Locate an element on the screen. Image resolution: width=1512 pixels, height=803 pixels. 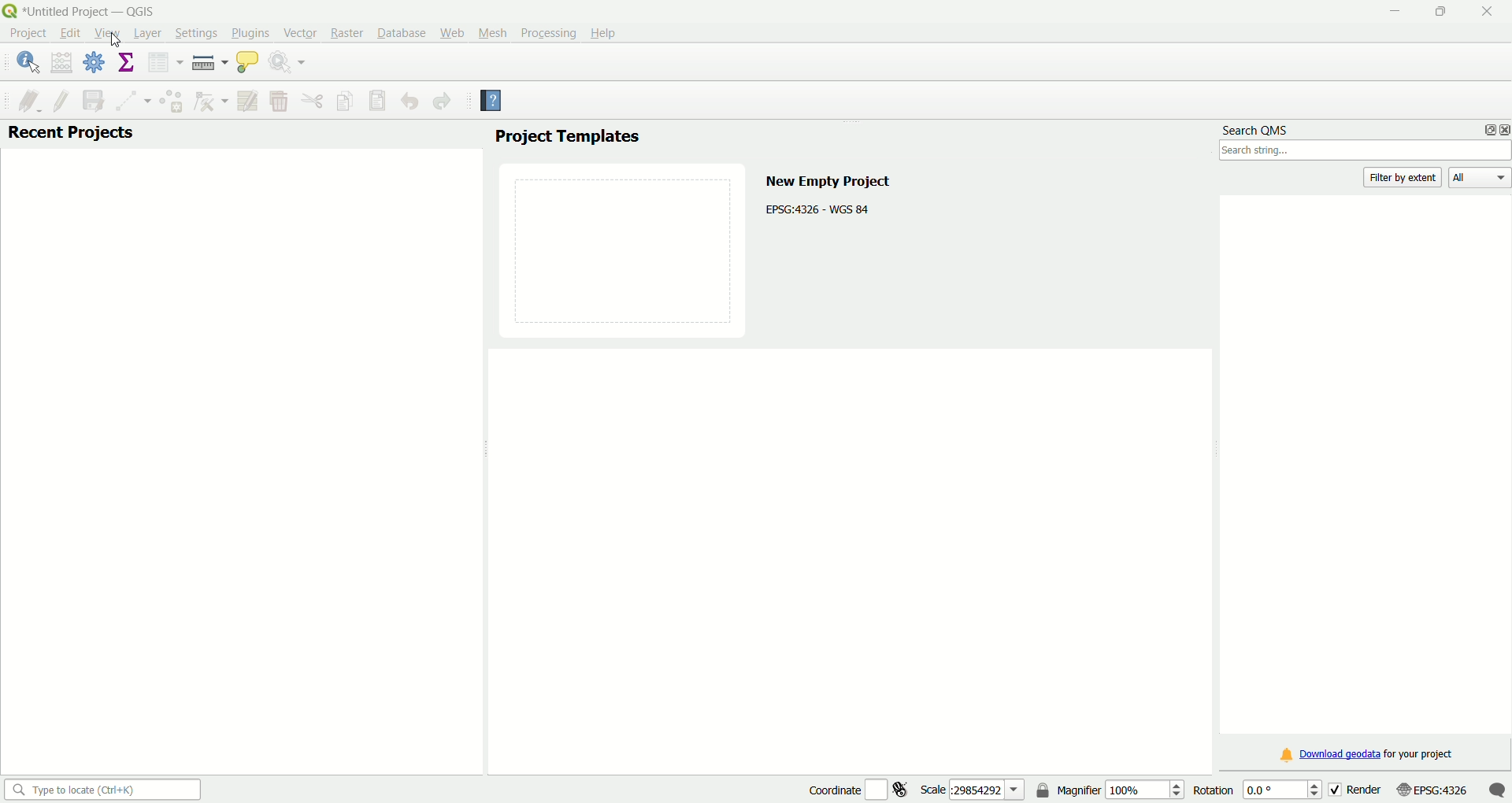
Help is located at coordinates (606, 31).